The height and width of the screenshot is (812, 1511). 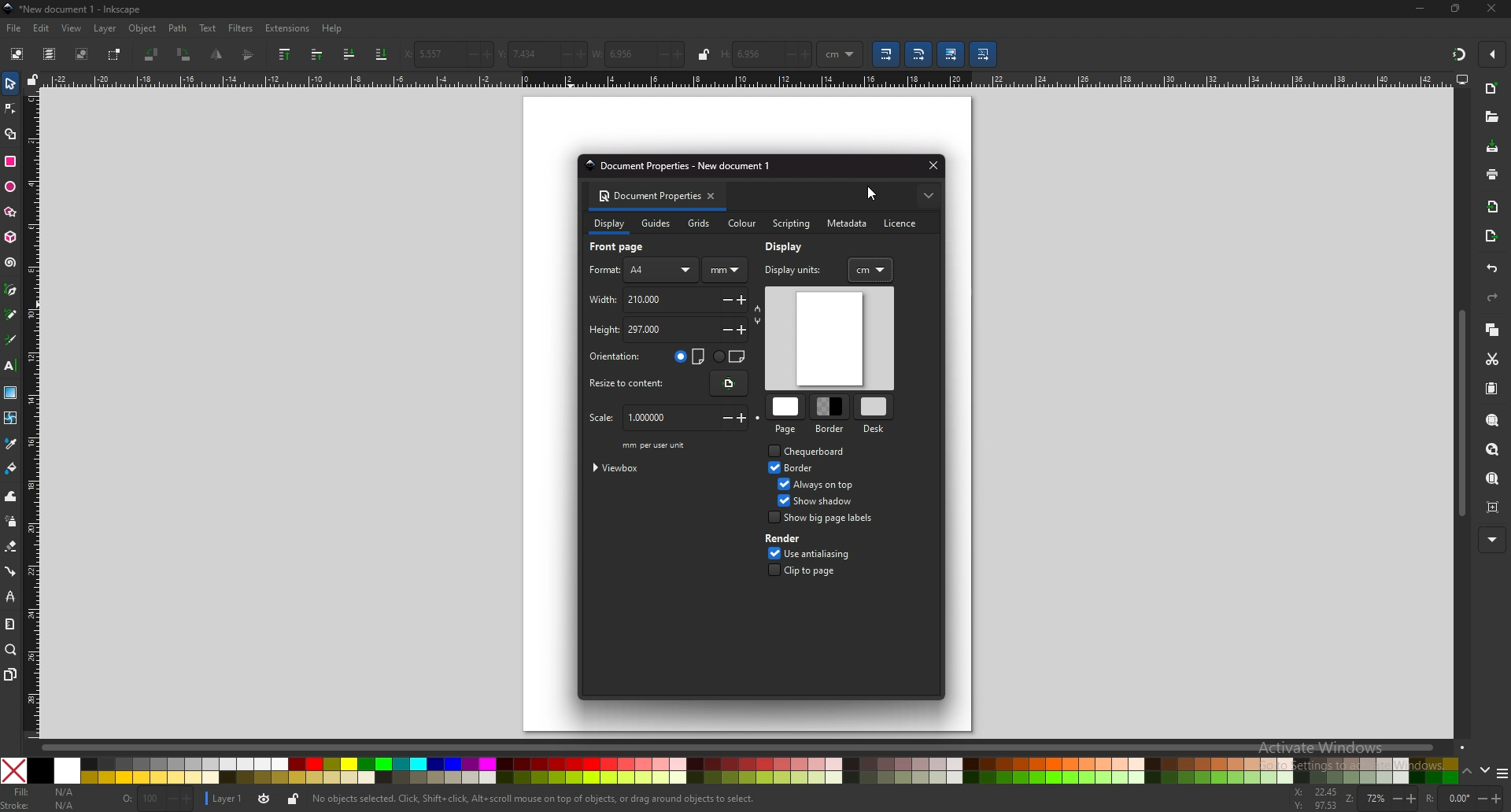 What do you see at coordinates (1446, 799) in the screenshot?
I see `rotation` at bounding box center [1446, 799].